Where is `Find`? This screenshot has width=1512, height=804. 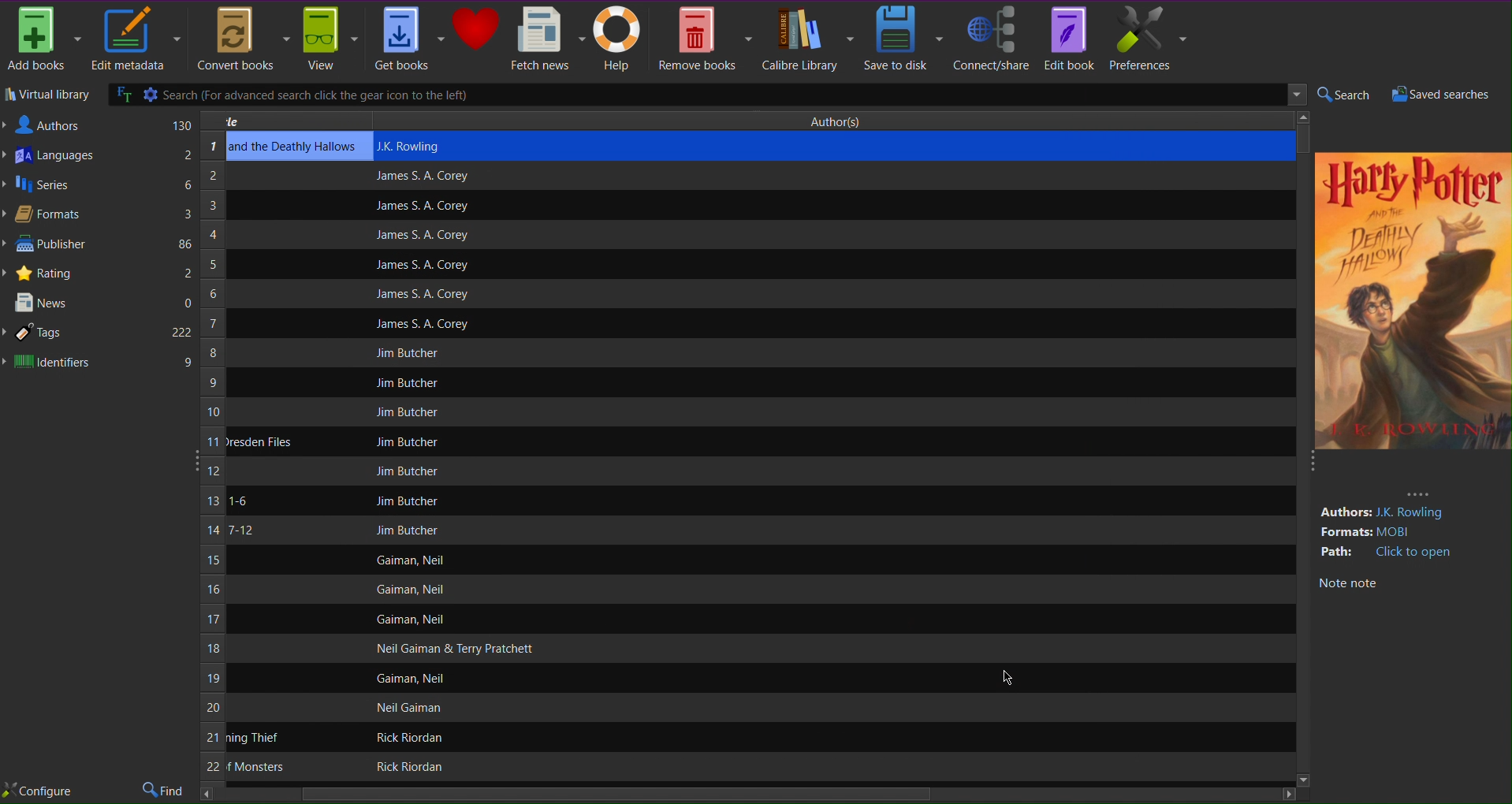 Find is located at coordinates (165, 791).